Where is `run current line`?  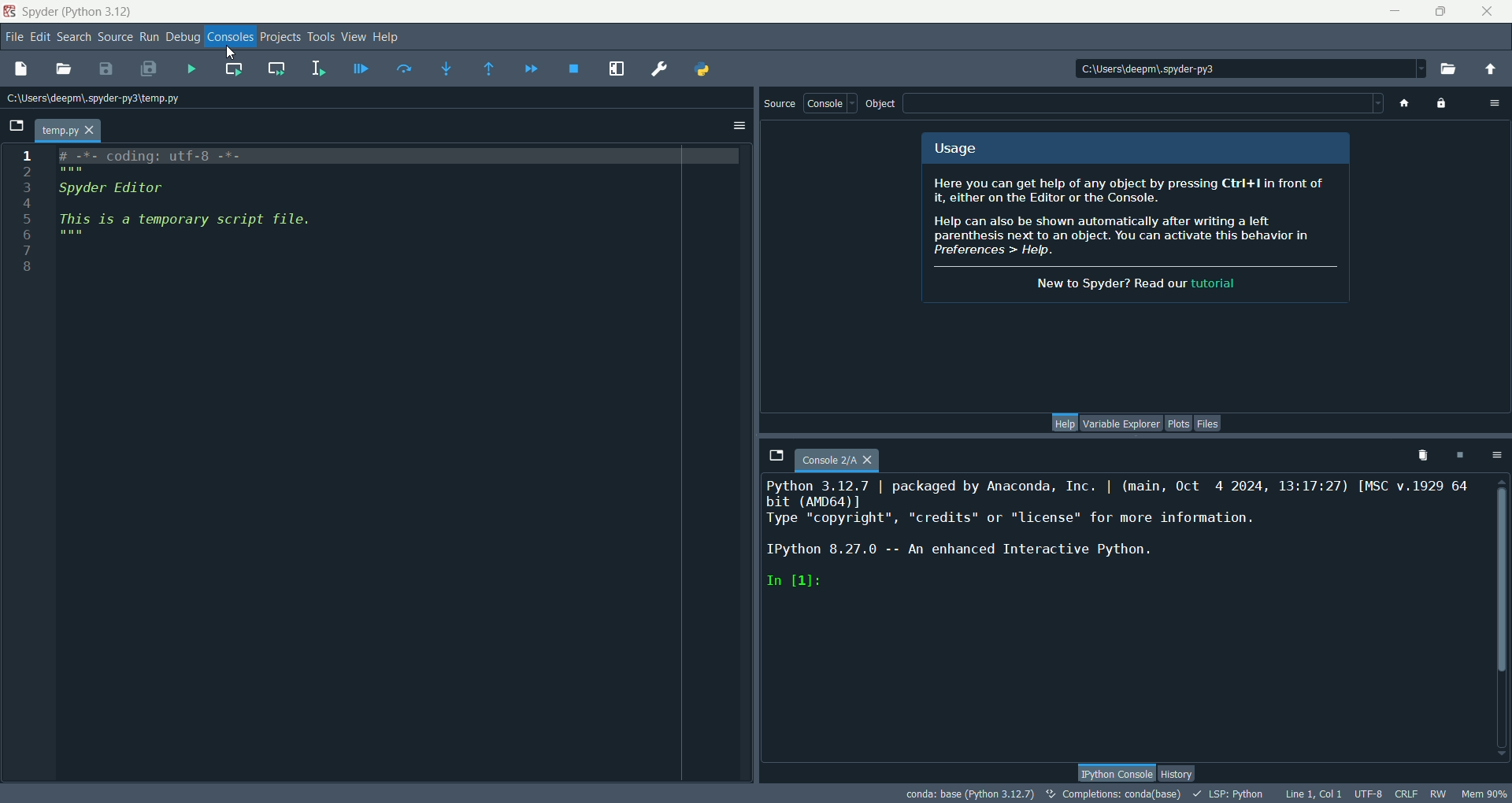
run current line is located at coordinates (401, 70).